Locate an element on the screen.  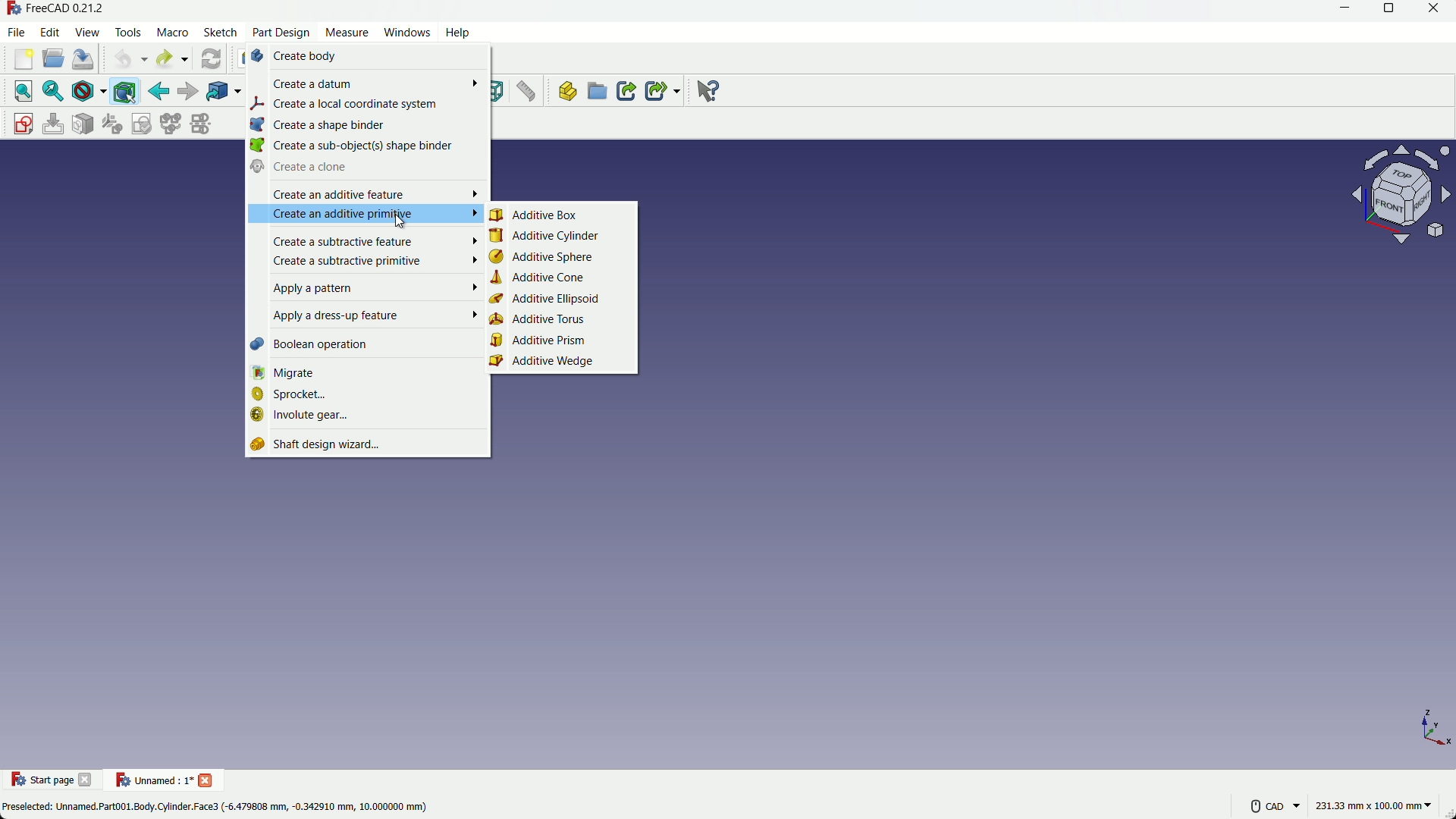
create part is located at coordinates (566, 91).